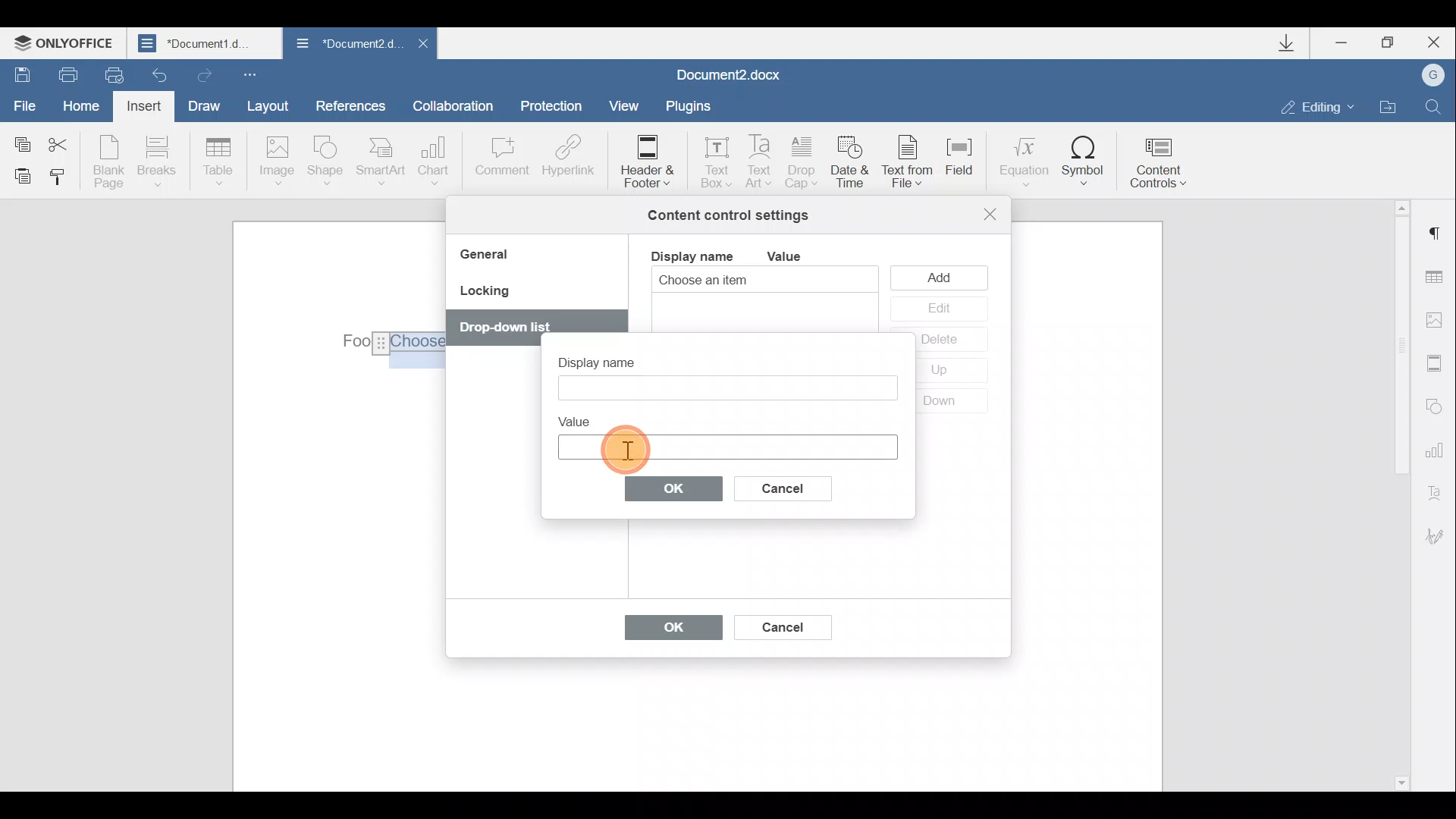 Image resolution: width=1456 pixels, height=819 pixels. What do you see at coordinates (112, 76) in the screenshot?
I see `Quick print` at bounding box center [112, 76].